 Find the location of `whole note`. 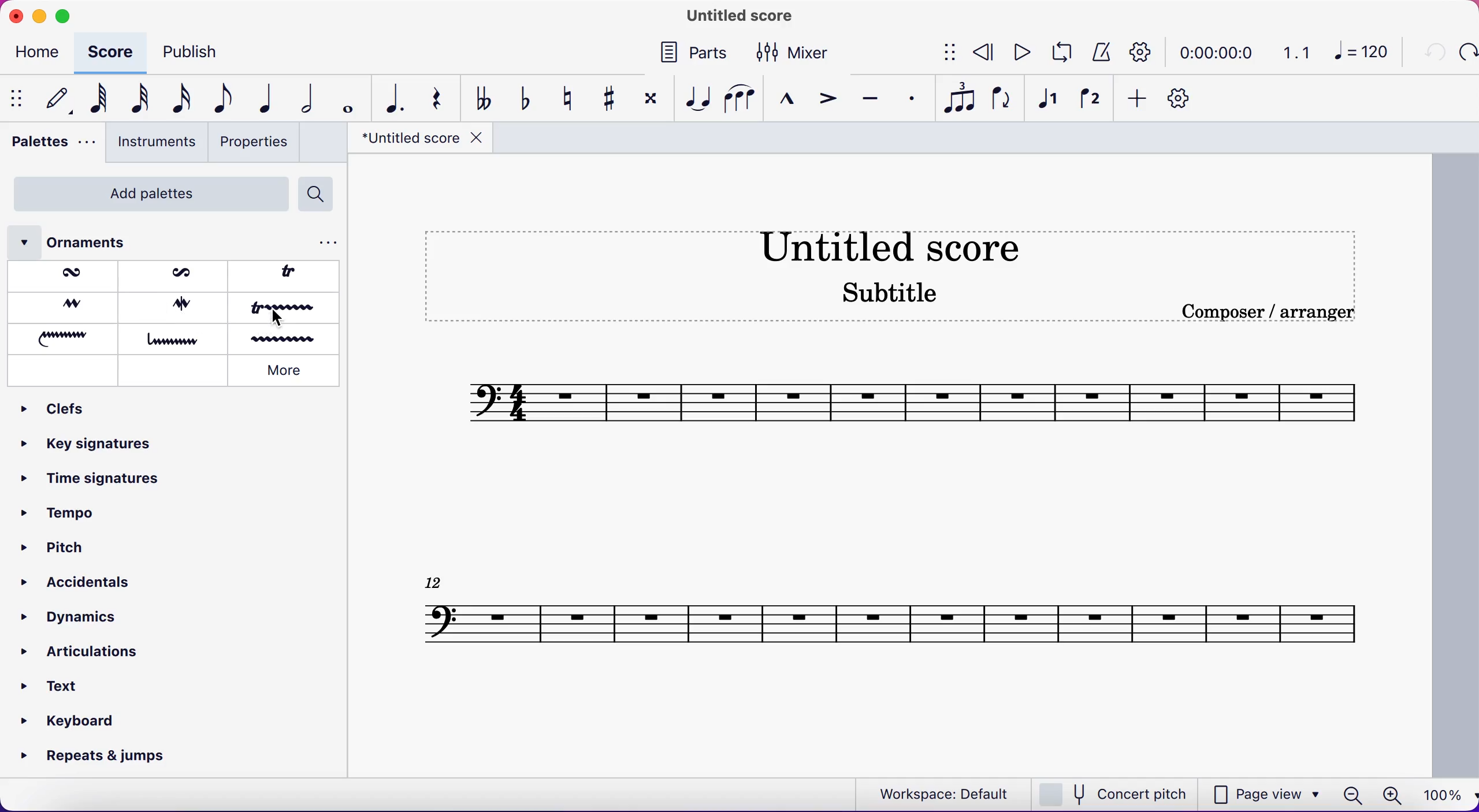

whole note is located at coordinates (345, 99).